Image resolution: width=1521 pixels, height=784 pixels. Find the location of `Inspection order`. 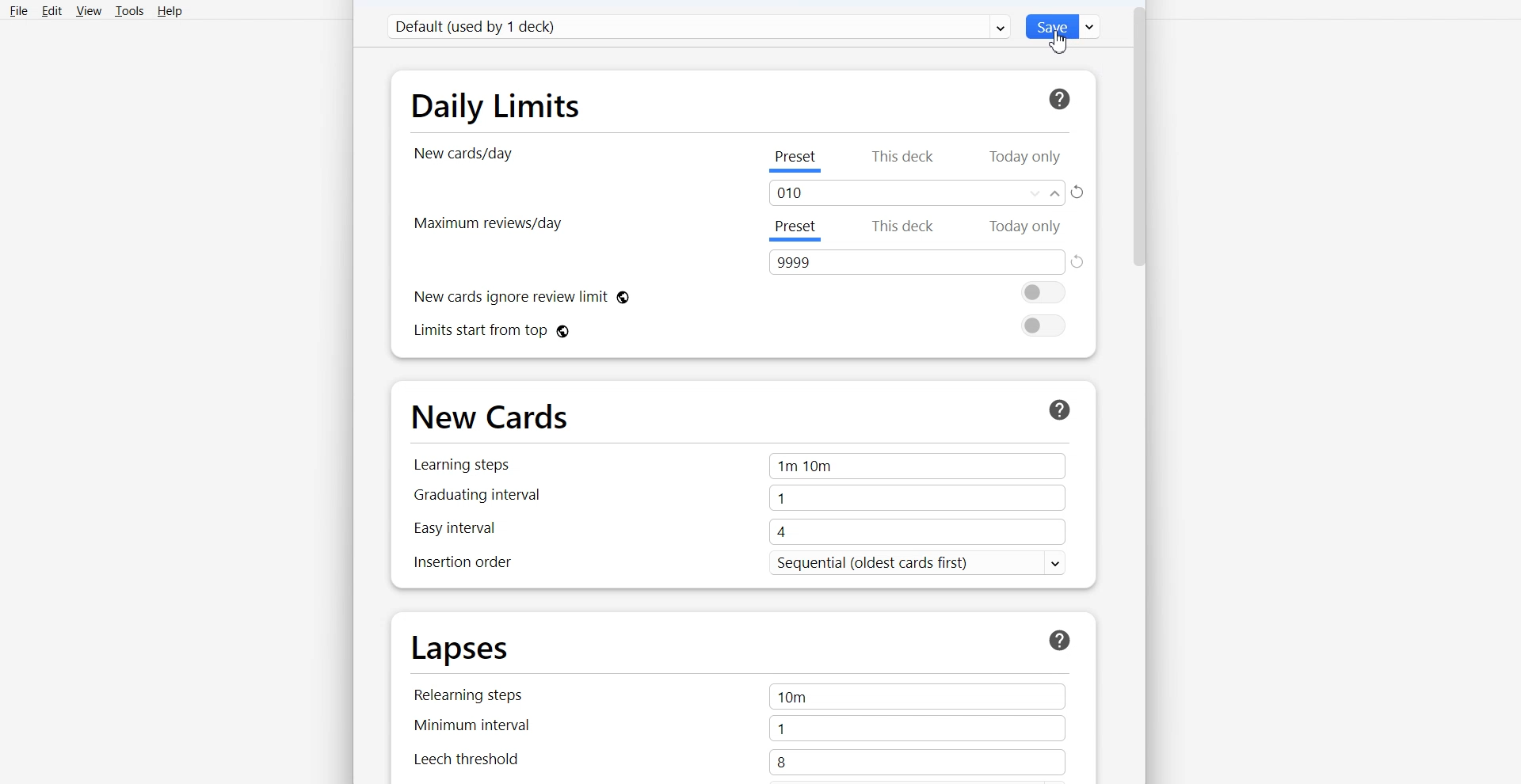

Inspection order is located at coordinates (481, 565).